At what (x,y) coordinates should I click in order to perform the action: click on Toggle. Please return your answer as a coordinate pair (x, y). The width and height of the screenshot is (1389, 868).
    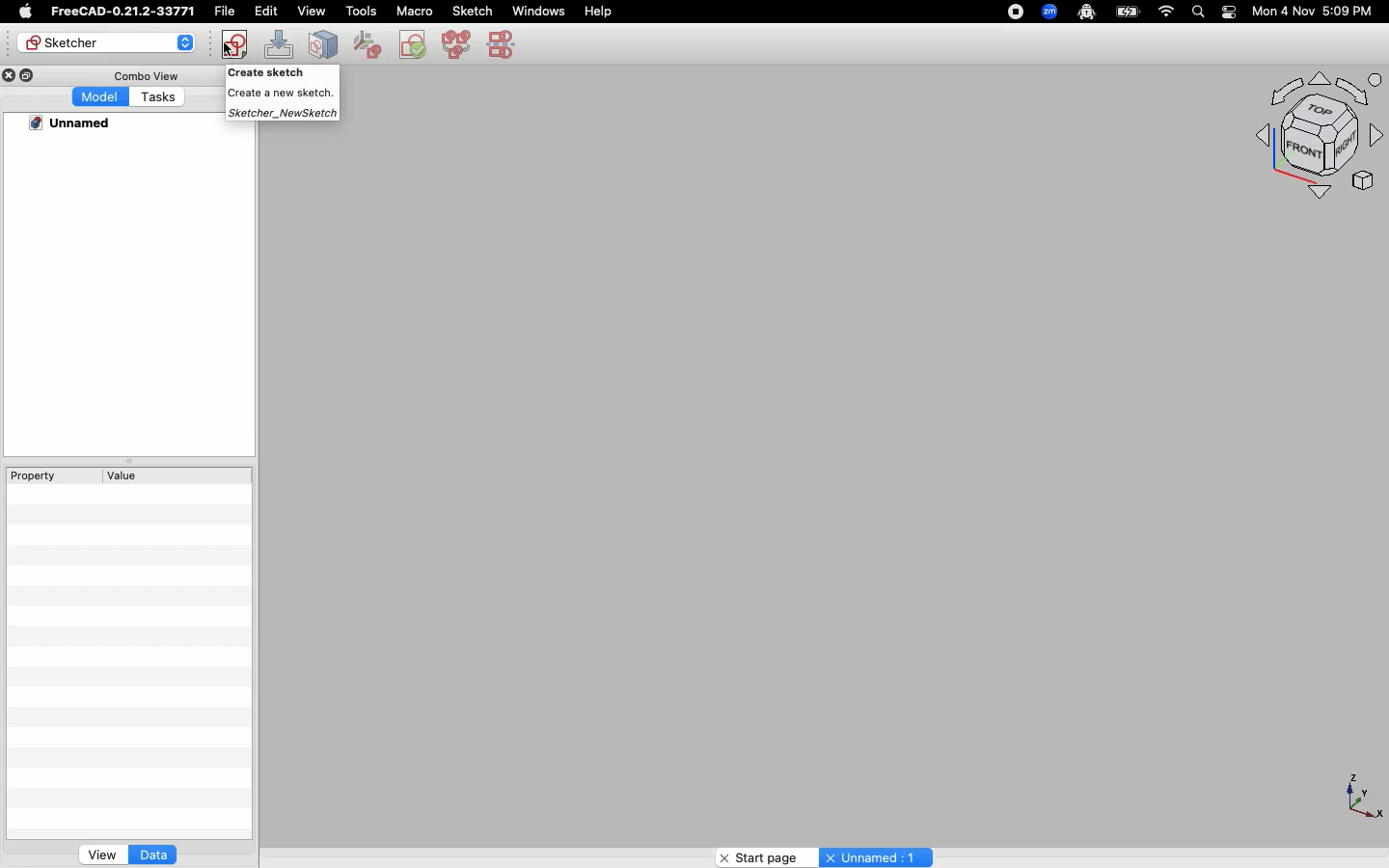
    Looking at the image, I should click on (1229, 12).